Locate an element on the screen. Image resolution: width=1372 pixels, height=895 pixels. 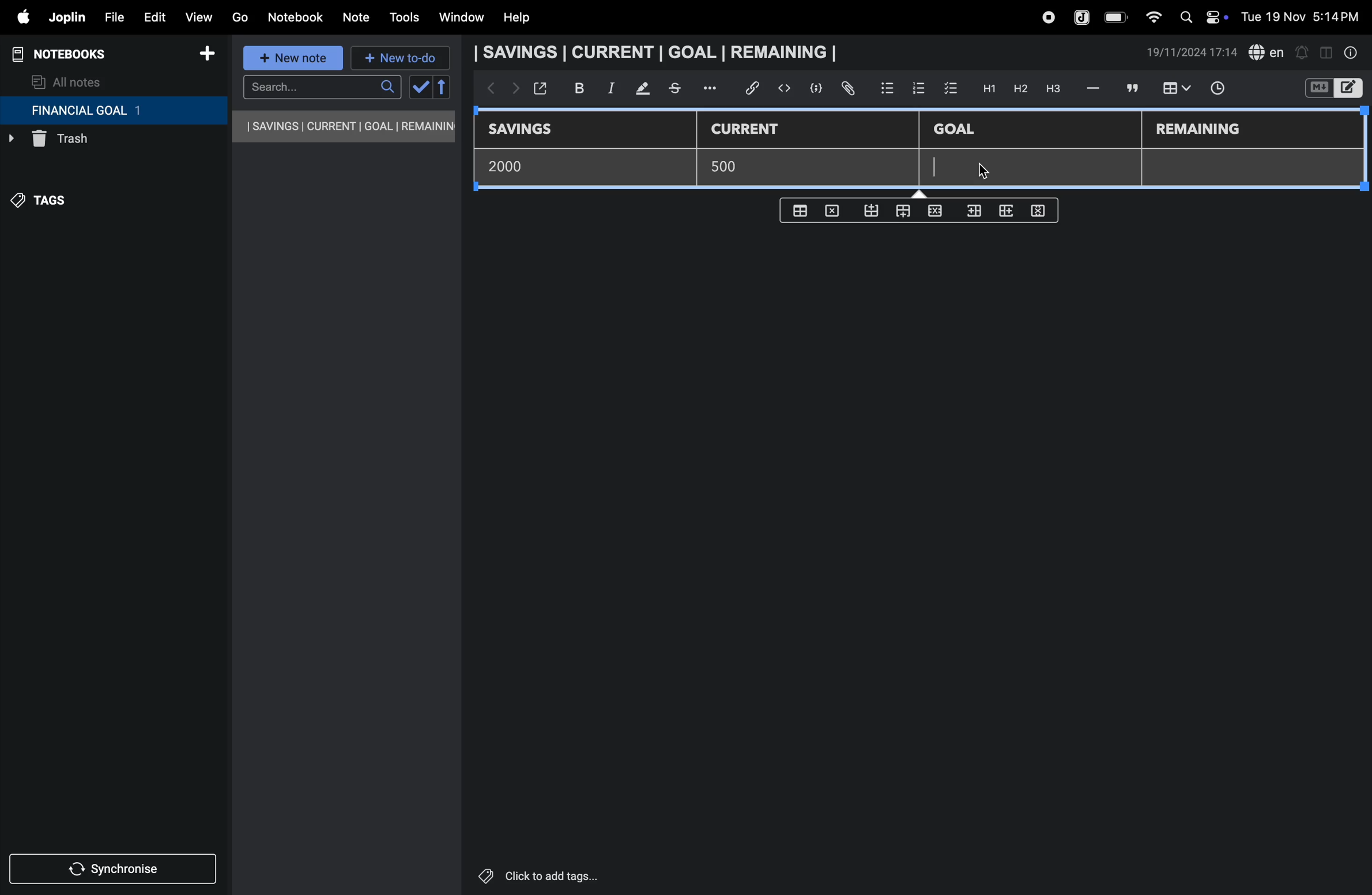
insert code is located at coordinates (785, 88).